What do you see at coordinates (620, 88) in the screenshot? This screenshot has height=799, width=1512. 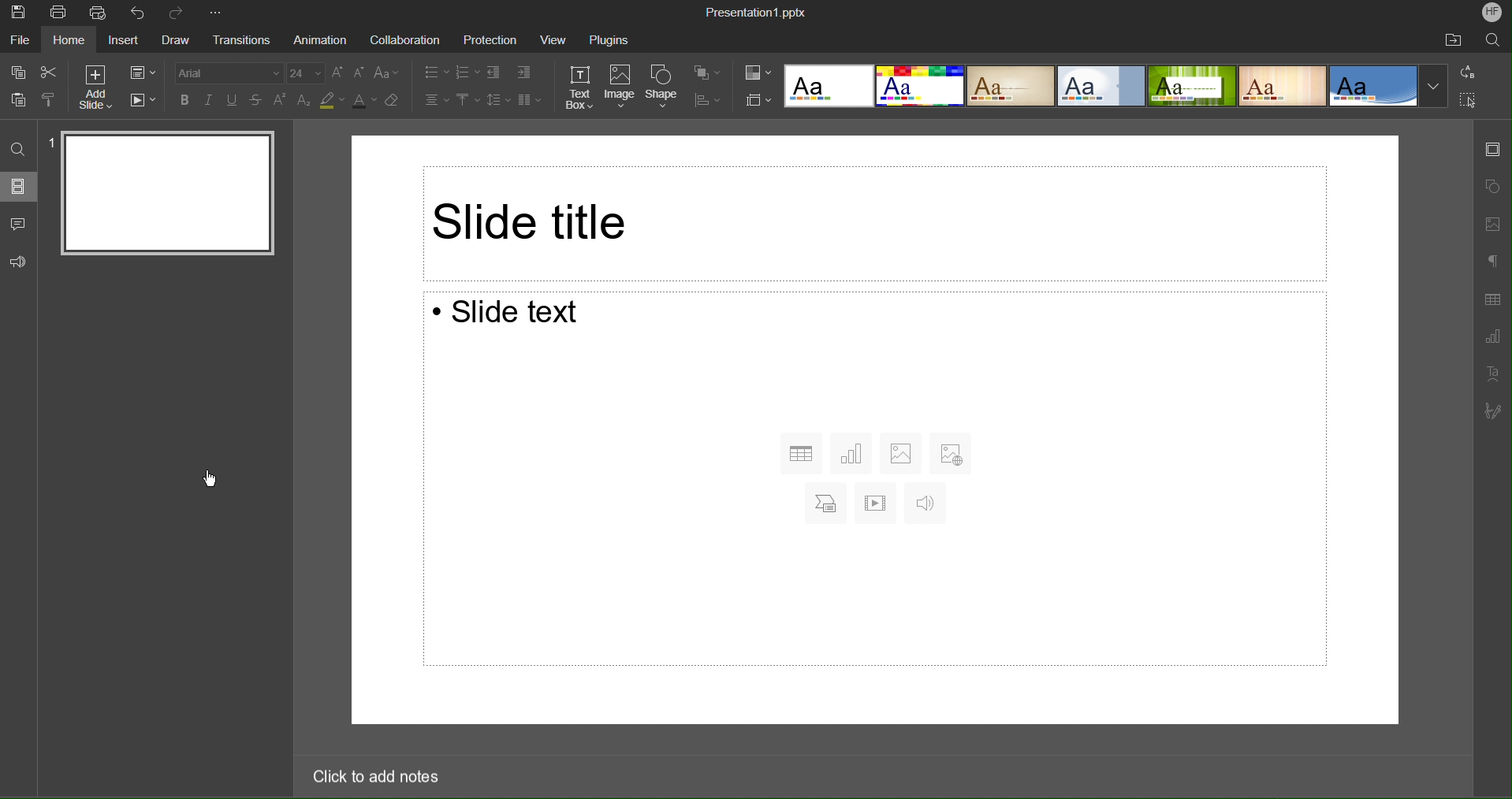 I see `Image` at bounding box center [620, 88].